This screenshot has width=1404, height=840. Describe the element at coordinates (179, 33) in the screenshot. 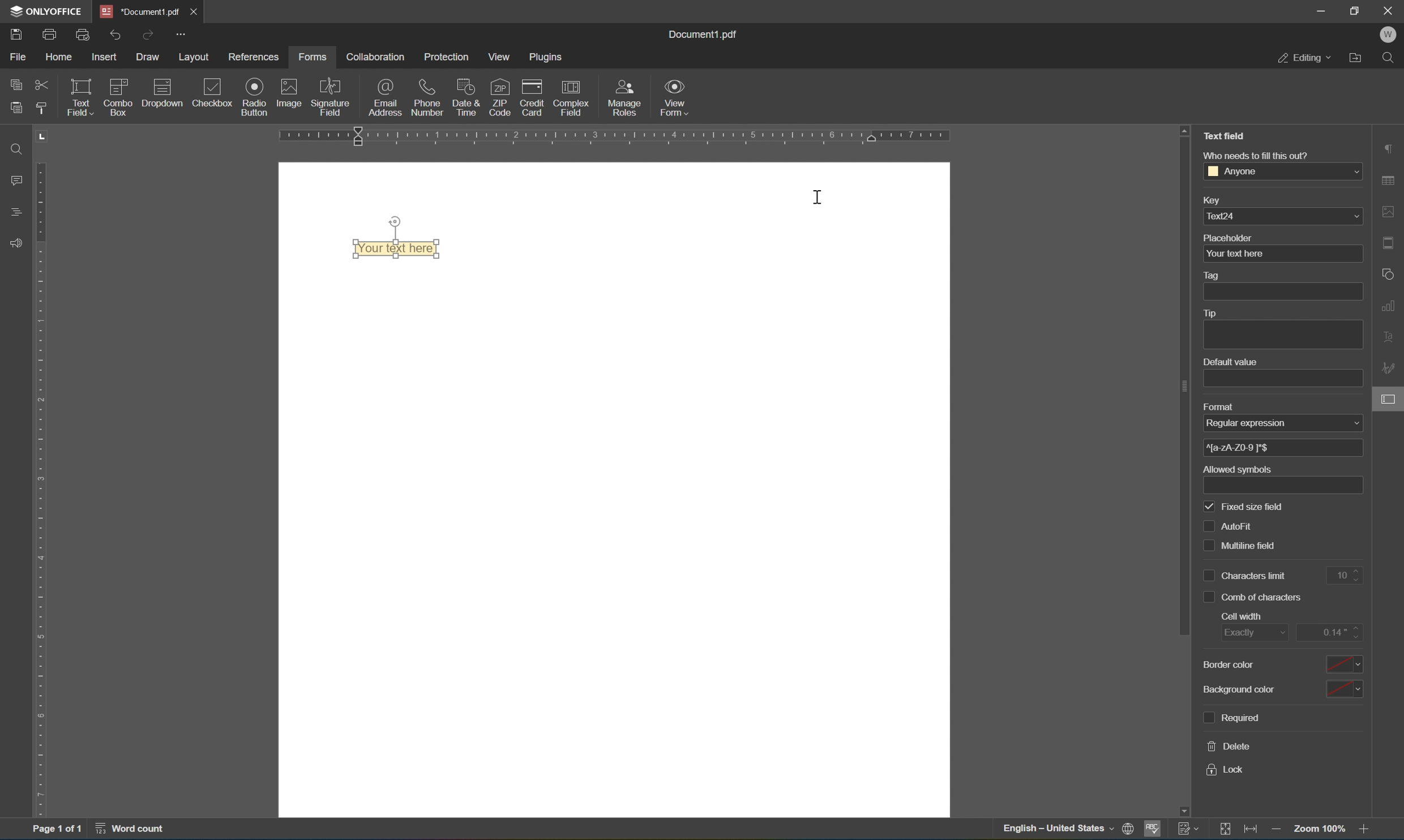

I see `customize quick access toolbar` at that location.